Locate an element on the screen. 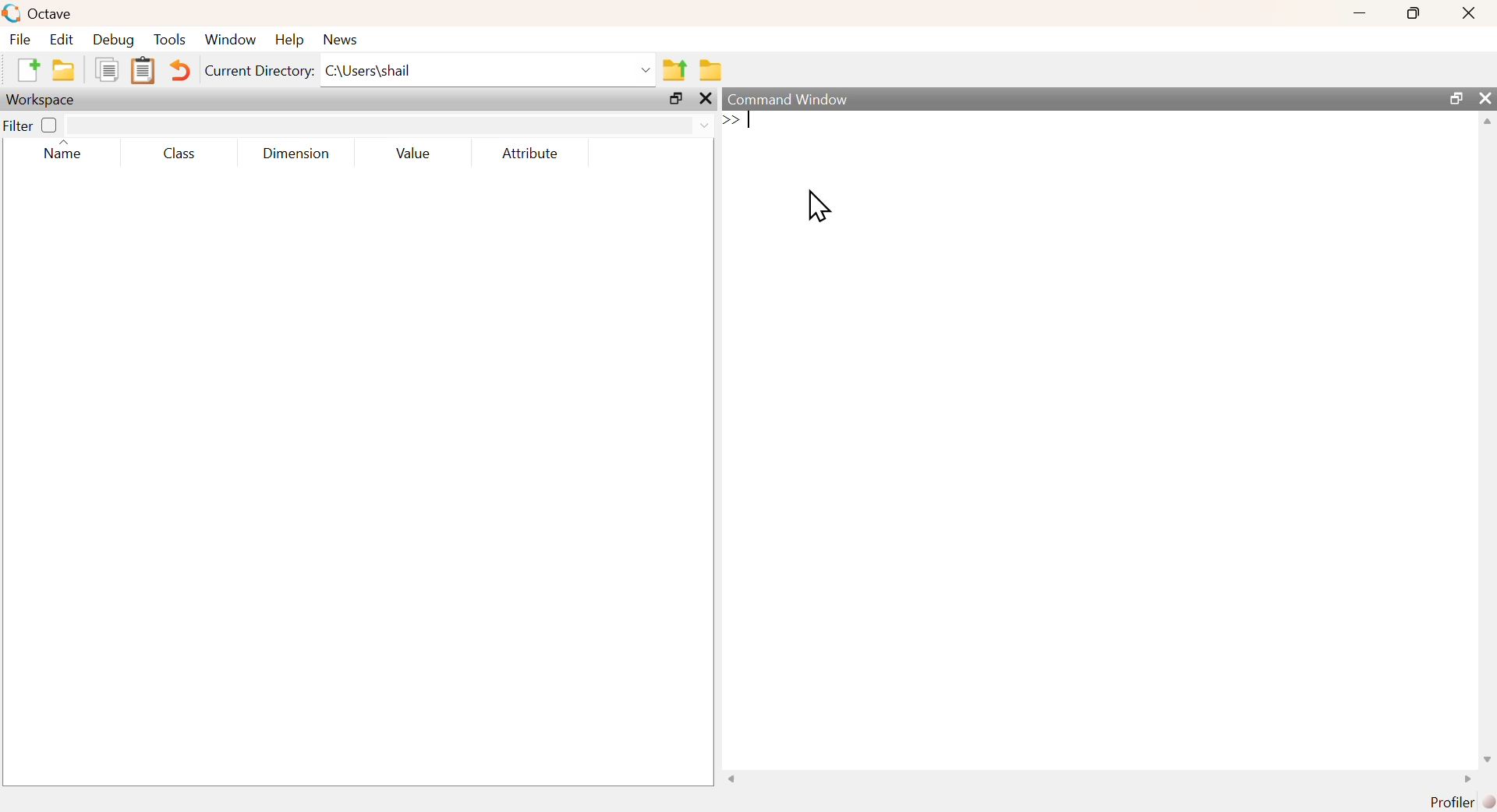 This screenshot has width=1497, height=812. File is located at coordinates (19, 39).